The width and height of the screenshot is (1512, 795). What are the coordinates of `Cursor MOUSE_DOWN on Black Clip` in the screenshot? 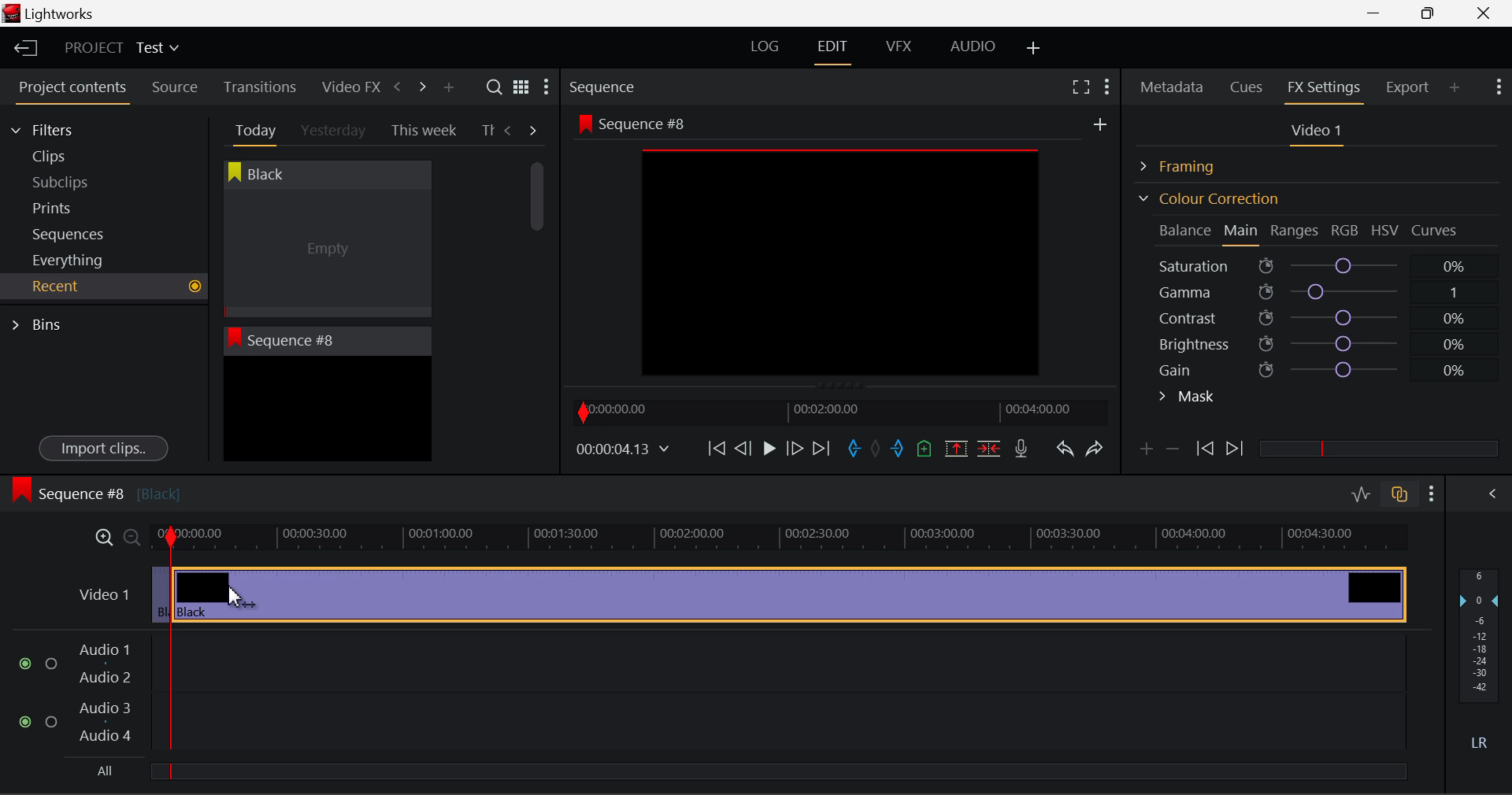 It's located at (325, 253).